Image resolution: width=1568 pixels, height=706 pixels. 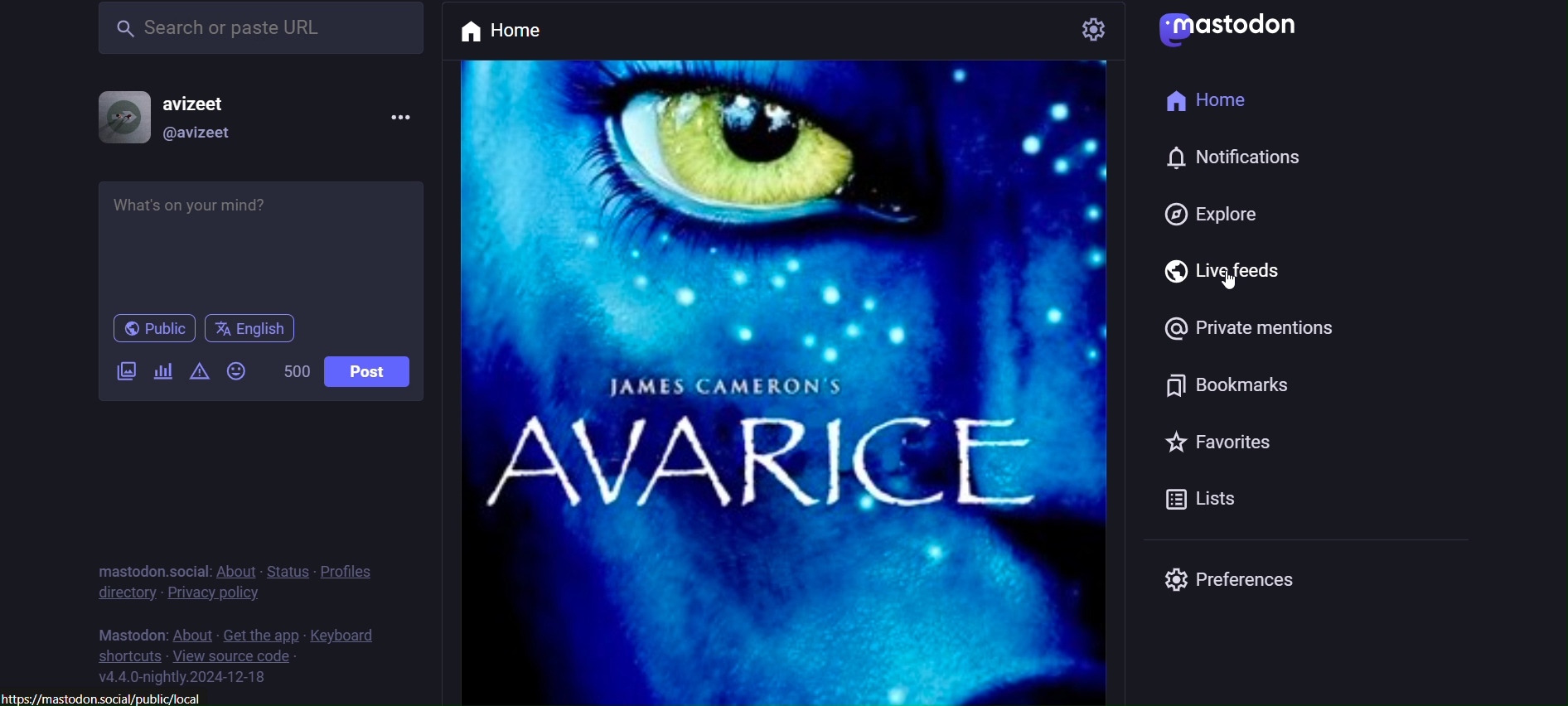 I want to click on notification, so click(x=1228, y=157).